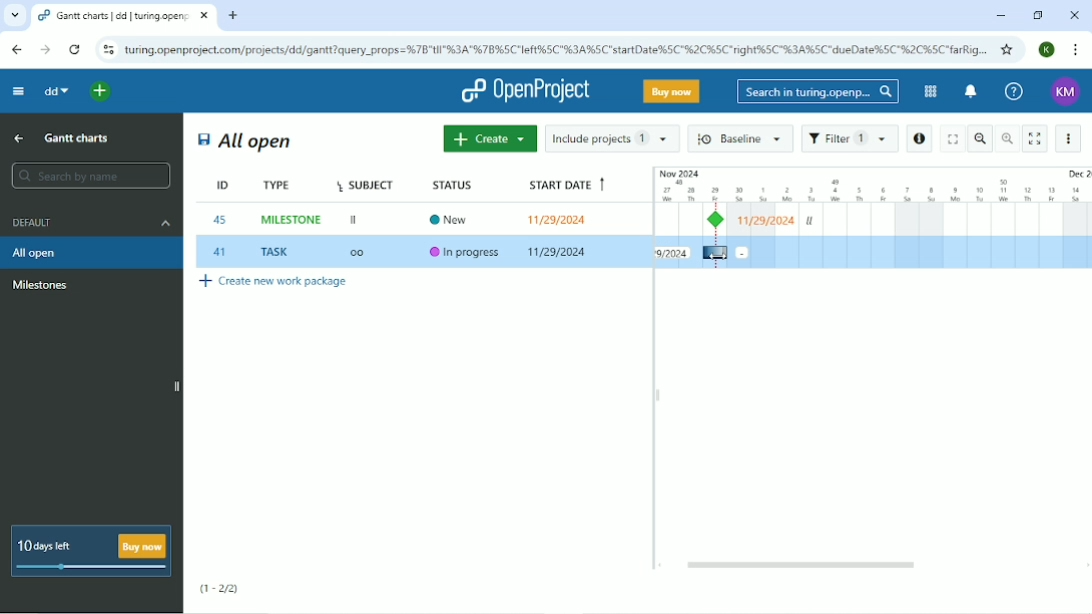  I want to click on 11/29/2024, so click(561, 219).